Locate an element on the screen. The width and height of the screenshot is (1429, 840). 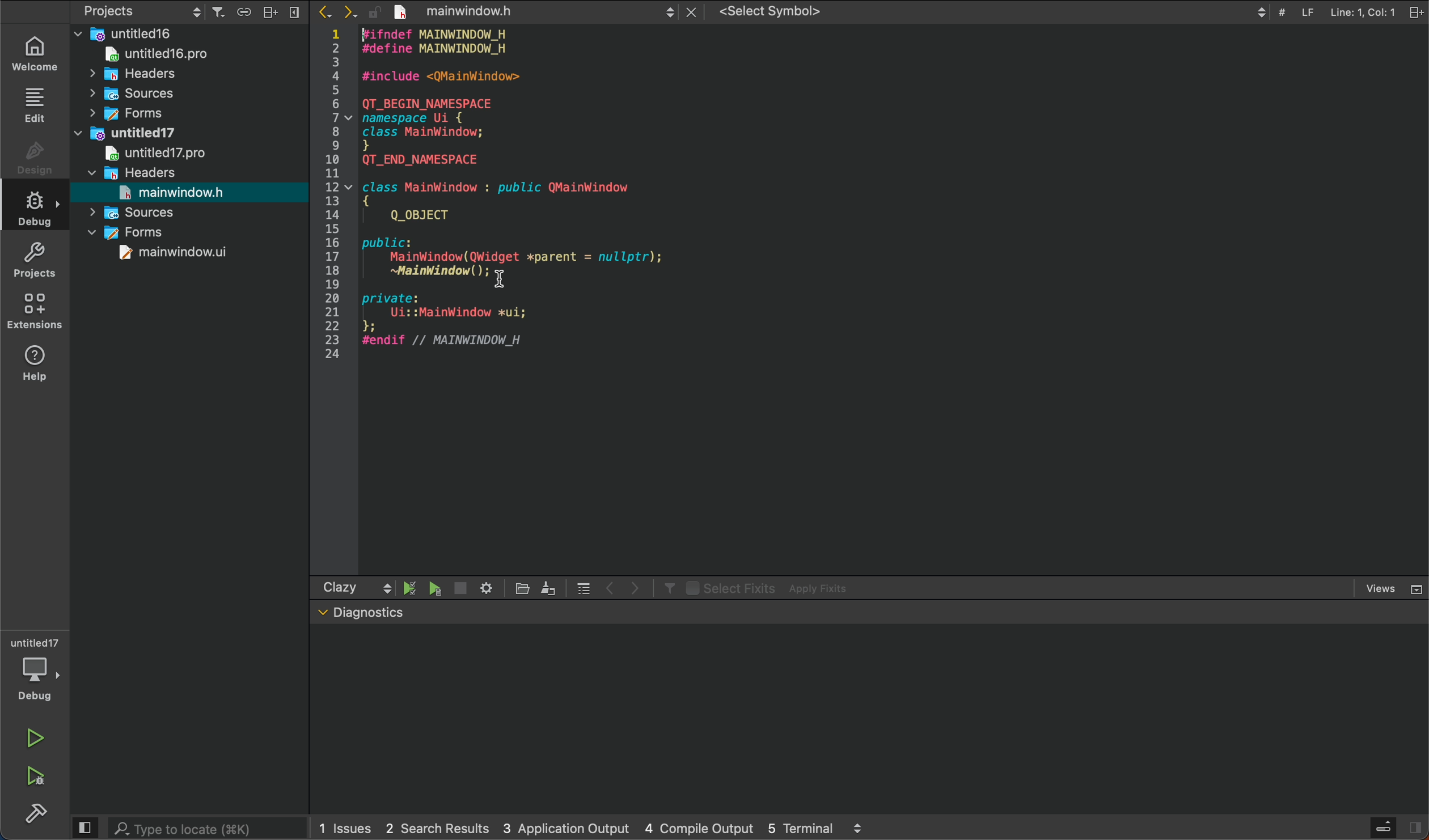
# LF is located at coordinates (1296, 14).